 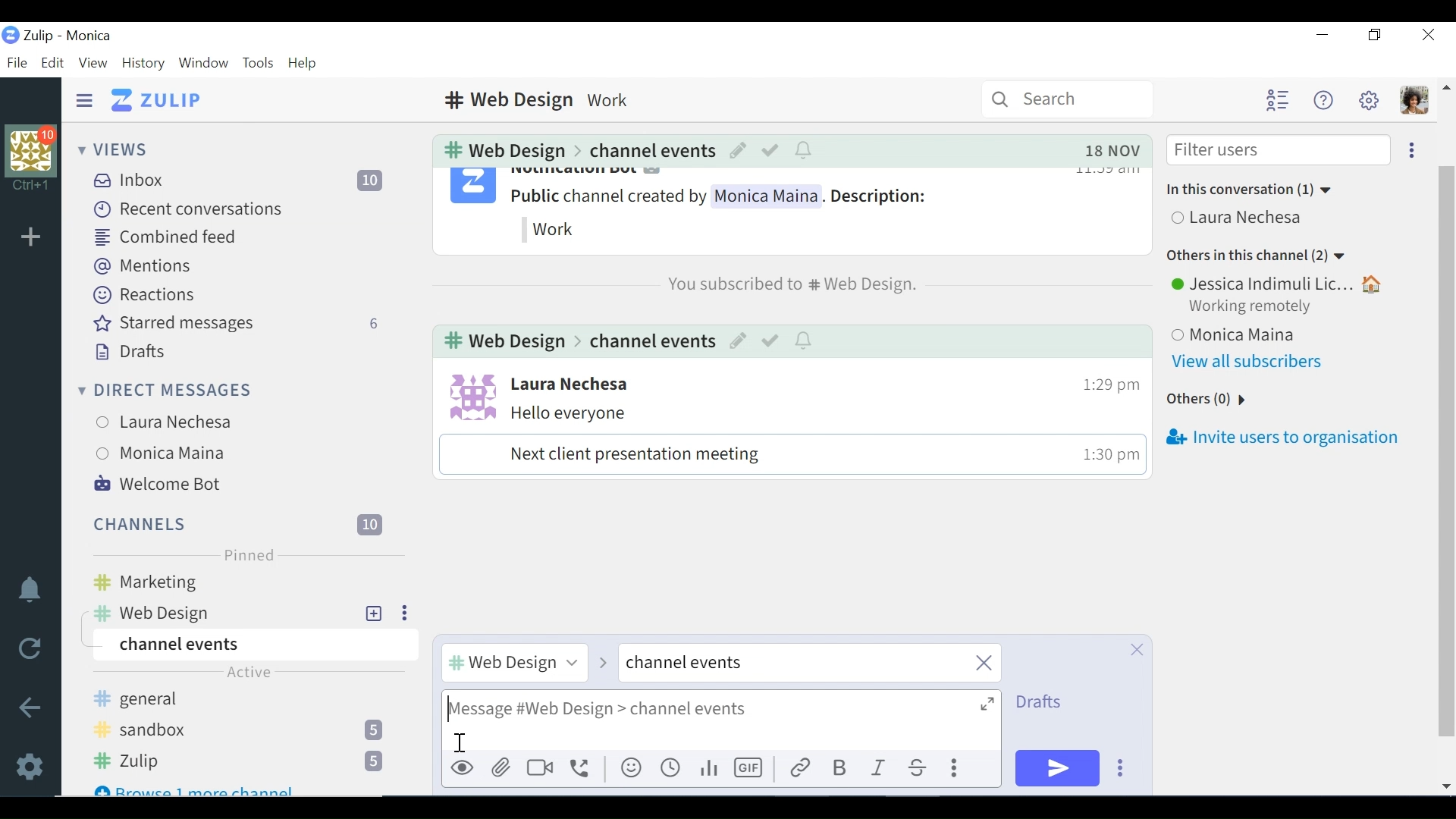 What do you see at coordinates (805, 341) in the screenshot?
I see `notification` at bounding box center [805, 341].